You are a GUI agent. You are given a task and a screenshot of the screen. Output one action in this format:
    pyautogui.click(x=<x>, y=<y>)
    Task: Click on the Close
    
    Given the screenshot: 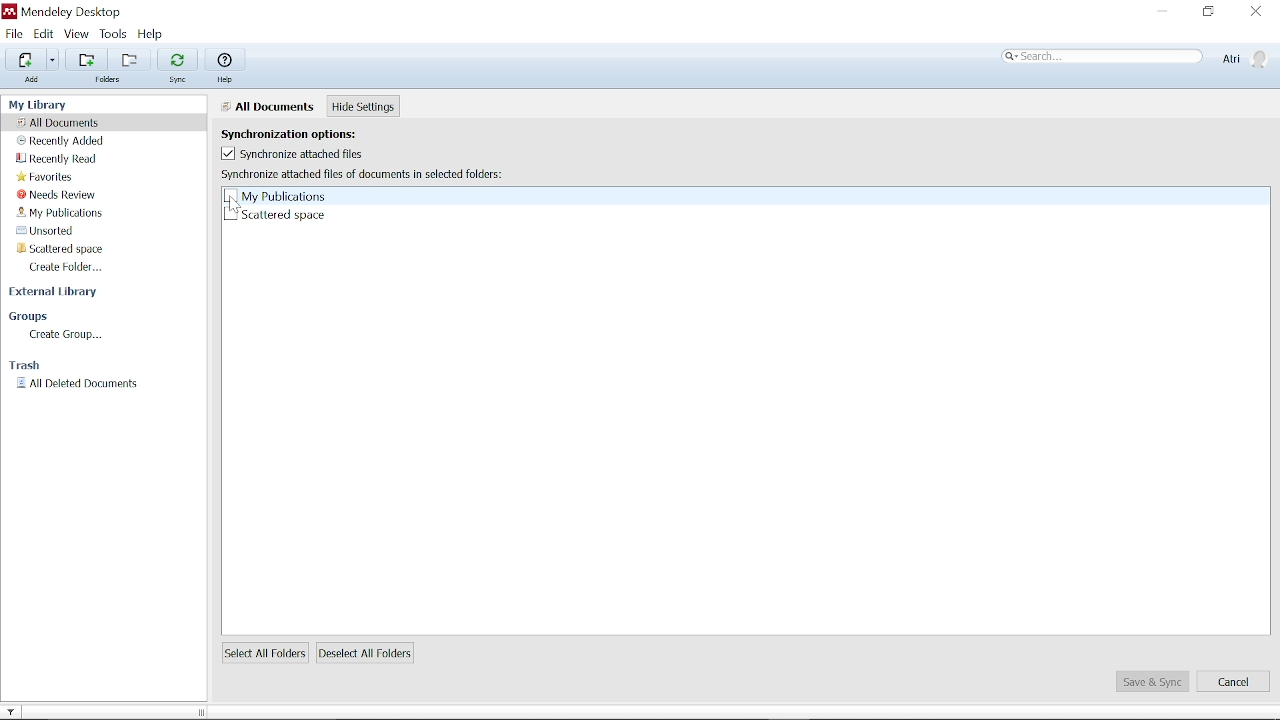 What is the action you would take?
    pyautogui.click(x=1255, y=11)
    